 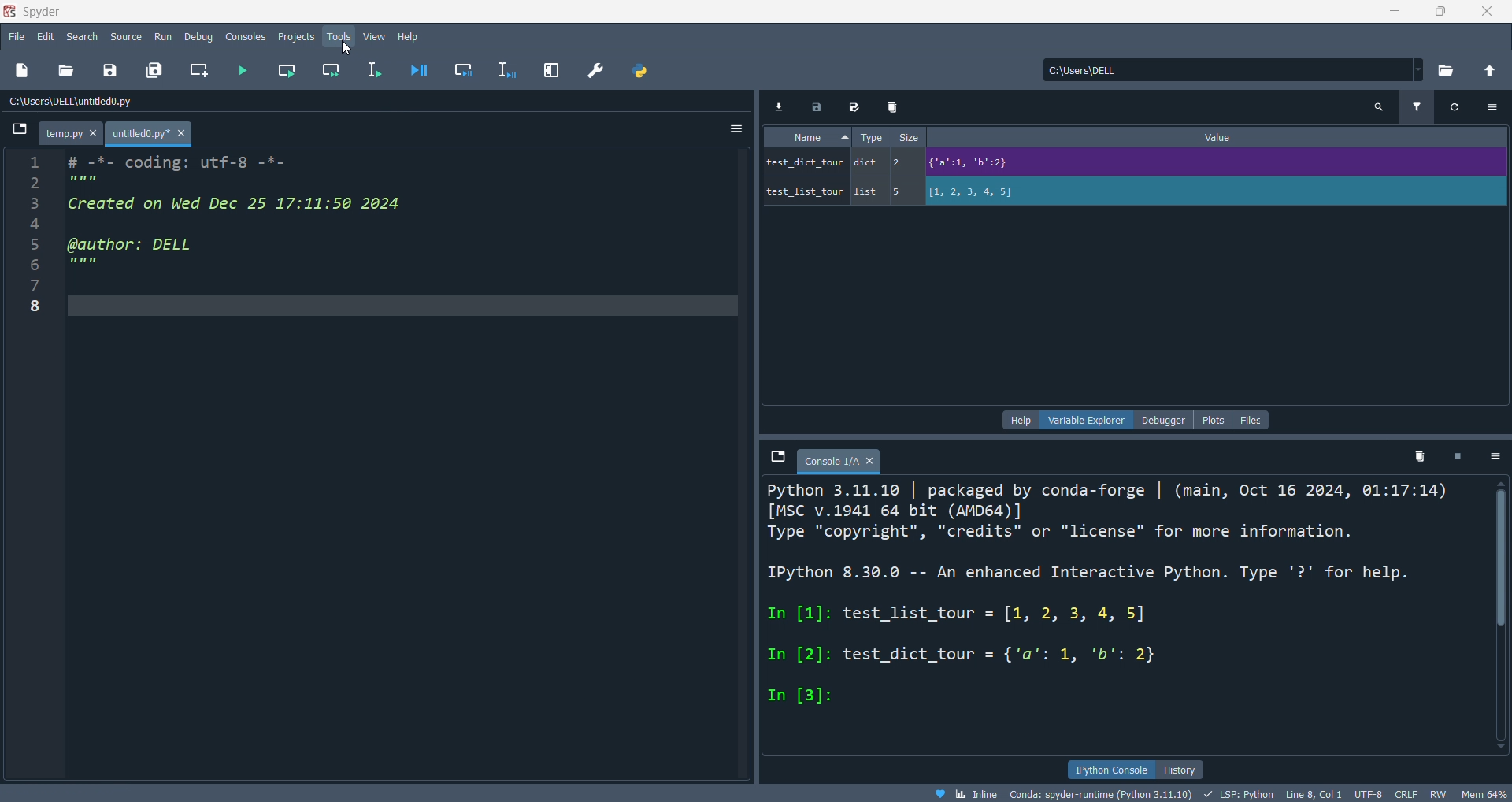 What do you see at coordinates (156, 161) in the screenshot?
I see `1 # -*- coding: utf-8 -*-` at bounding box center [156, 161].